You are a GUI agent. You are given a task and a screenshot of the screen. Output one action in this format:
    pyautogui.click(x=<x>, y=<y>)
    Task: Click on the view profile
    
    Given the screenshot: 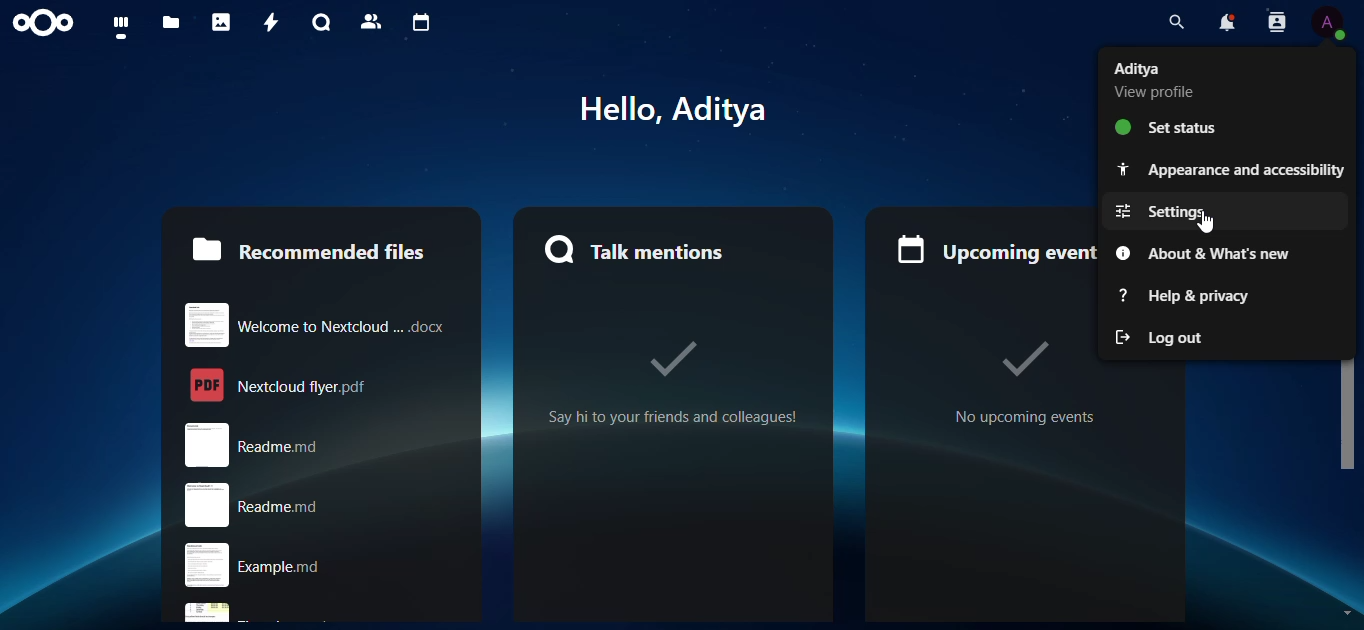 What is the action you would take?
    pyautogui.click(x=1162, y=81)
    